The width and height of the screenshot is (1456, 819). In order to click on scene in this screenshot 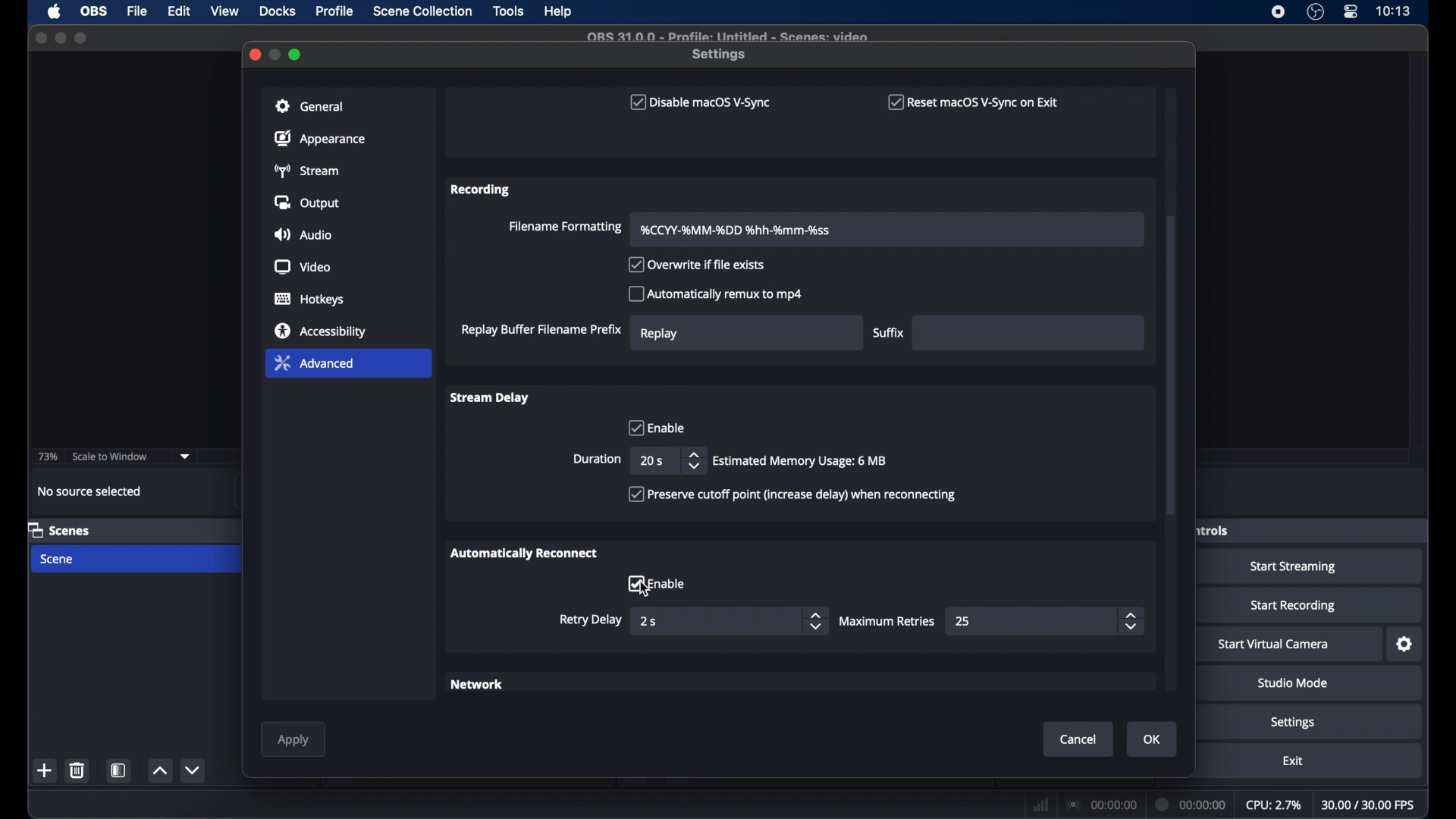, I will do `click(58, 560)`.